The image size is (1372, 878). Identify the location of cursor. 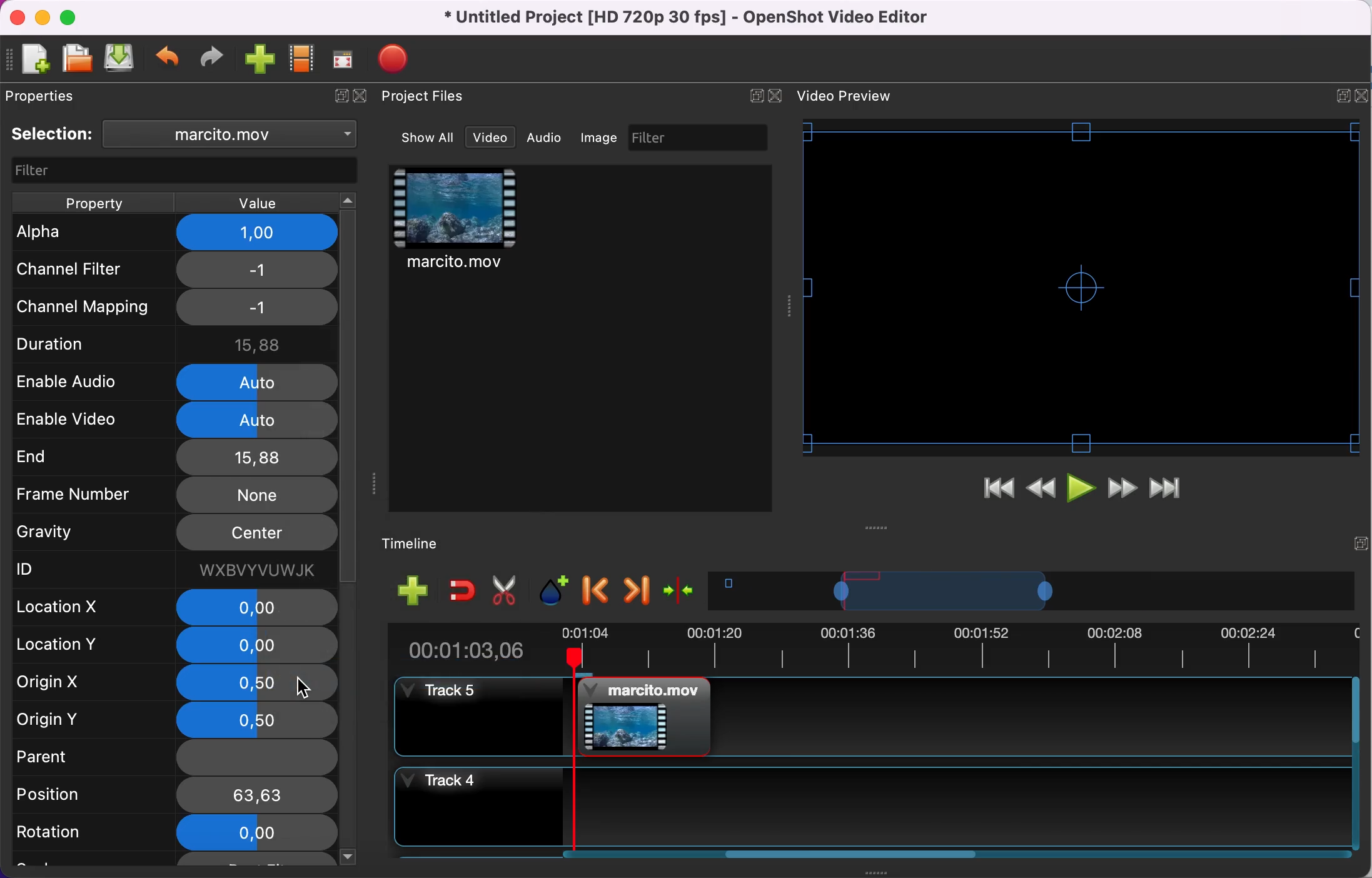
(302, 687).